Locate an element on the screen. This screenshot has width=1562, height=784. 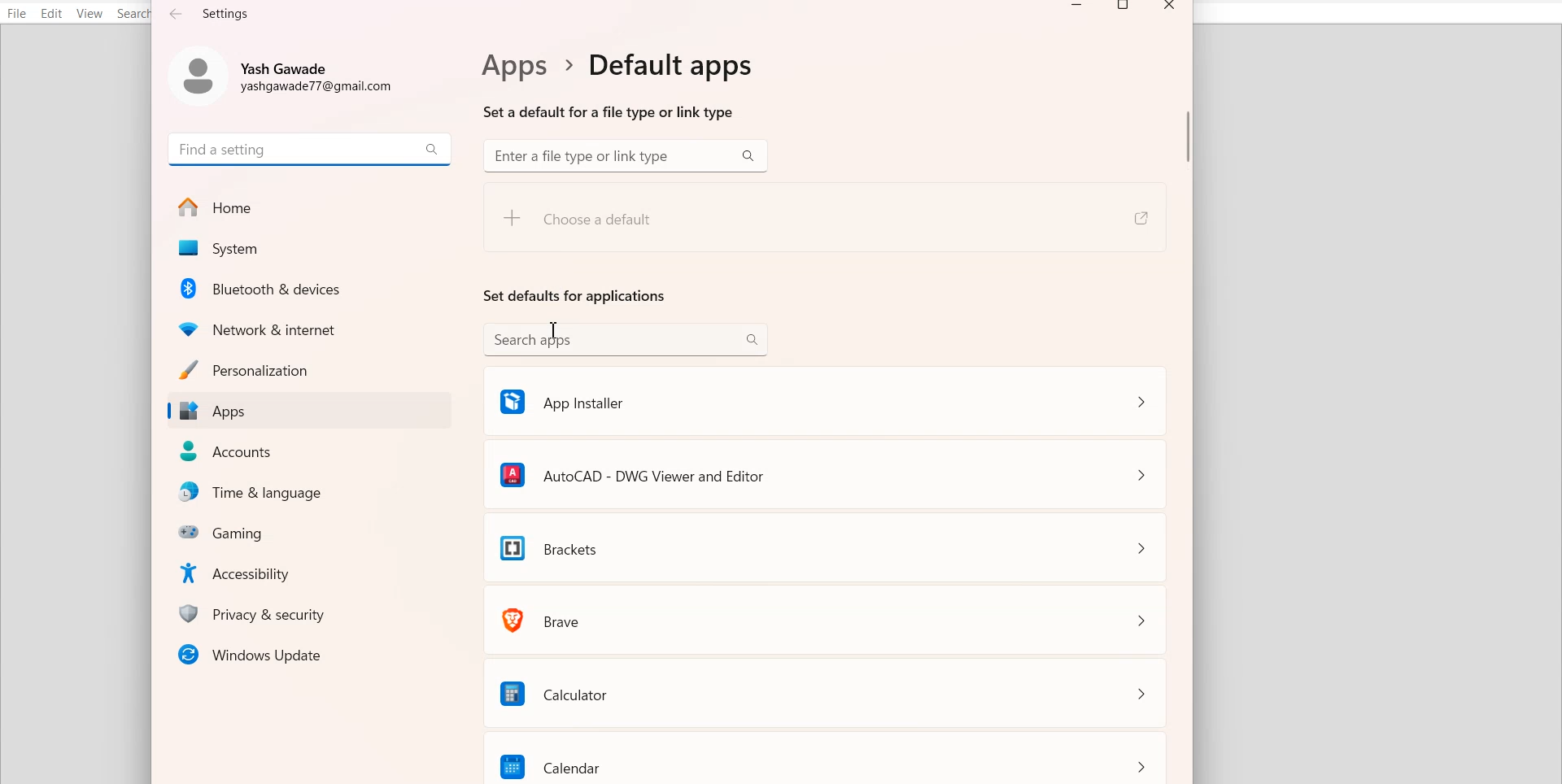
Brave is located at coordinates (827, 618).